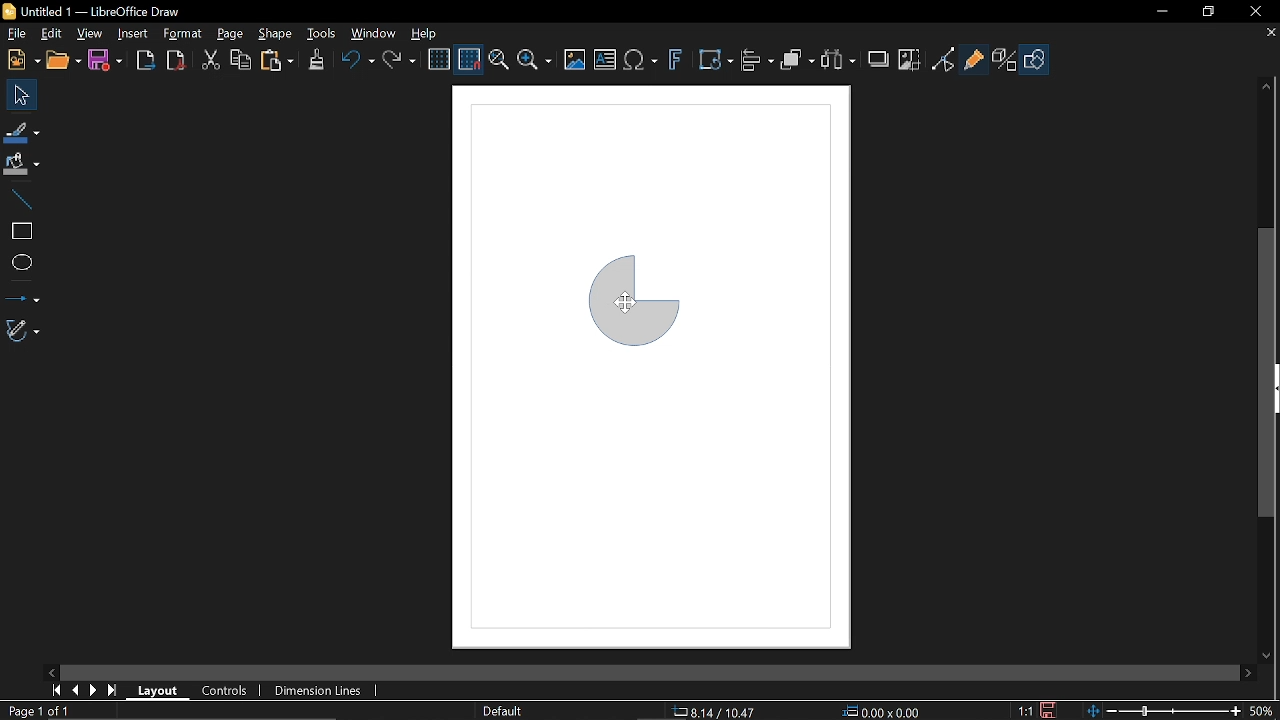  What do you see at coordinates (63, 61) in the screenshot?
I see `open` at bounding box center [63, 61].